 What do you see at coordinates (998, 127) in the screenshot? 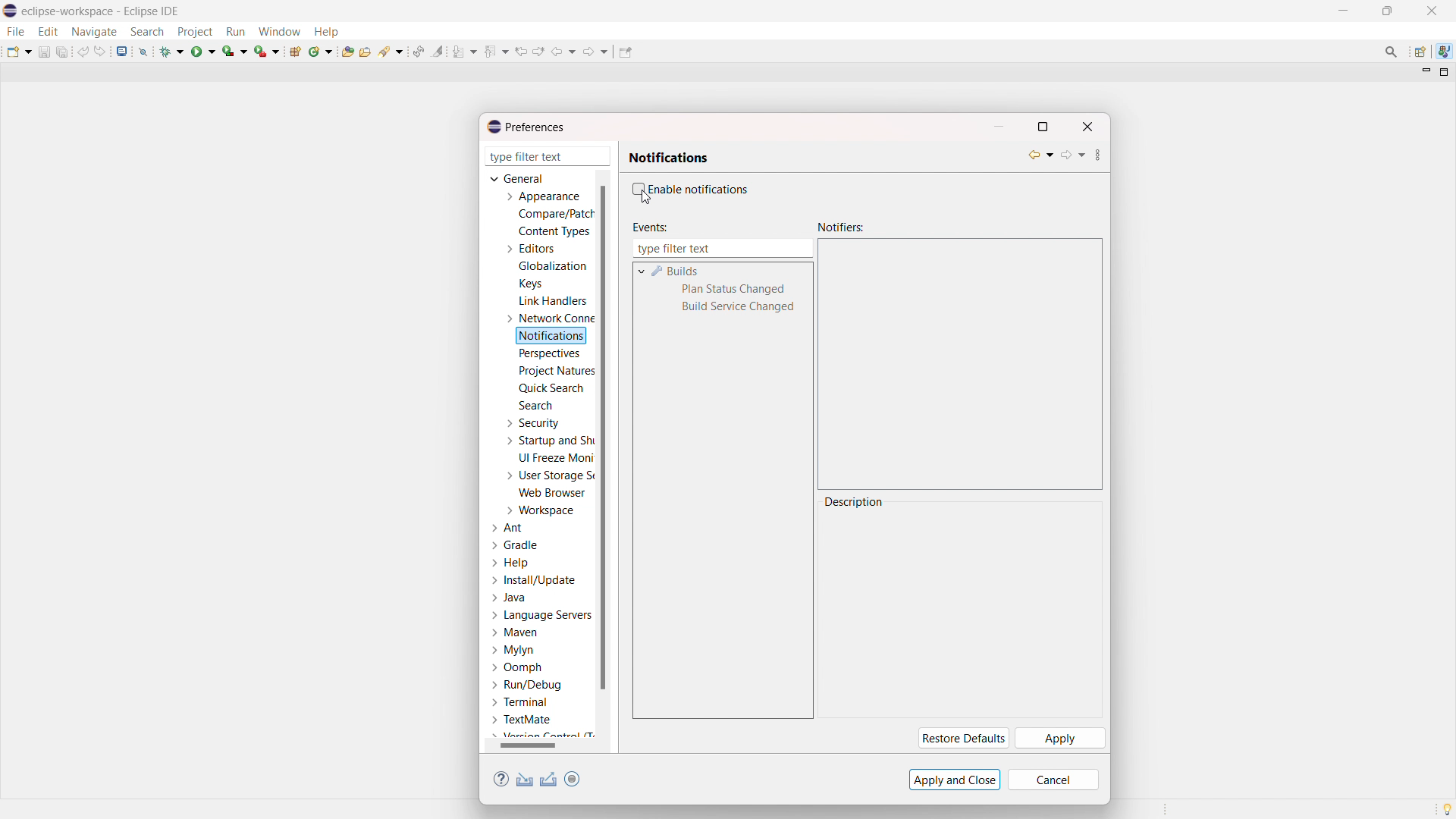
I see `minimize dialogbox` at bounding box center [998, 127].